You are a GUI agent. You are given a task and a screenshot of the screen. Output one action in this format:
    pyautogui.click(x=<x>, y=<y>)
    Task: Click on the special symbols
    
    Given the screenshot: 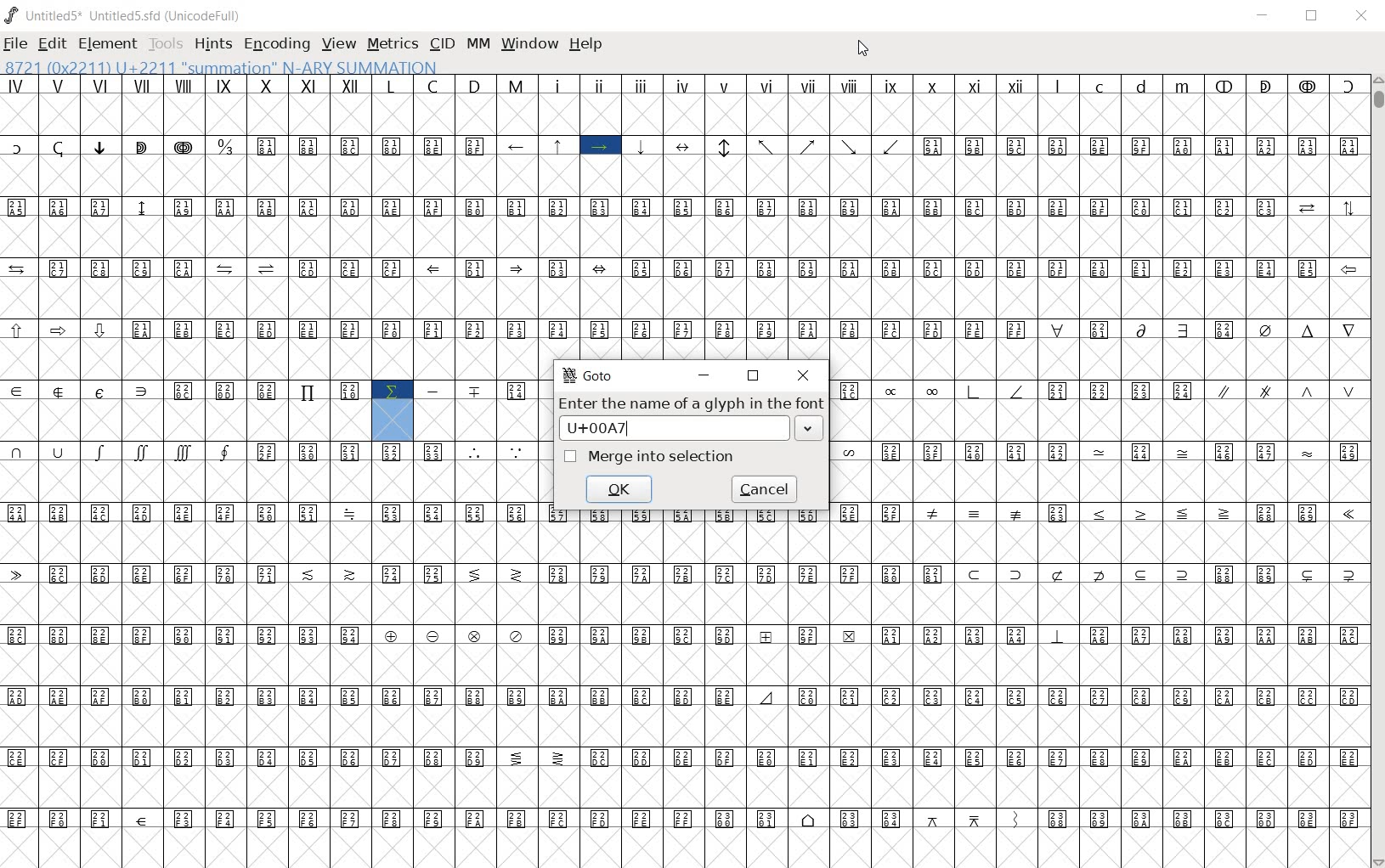 What is the action you would take?
    pyautogui.click(x=271, y=453)
    